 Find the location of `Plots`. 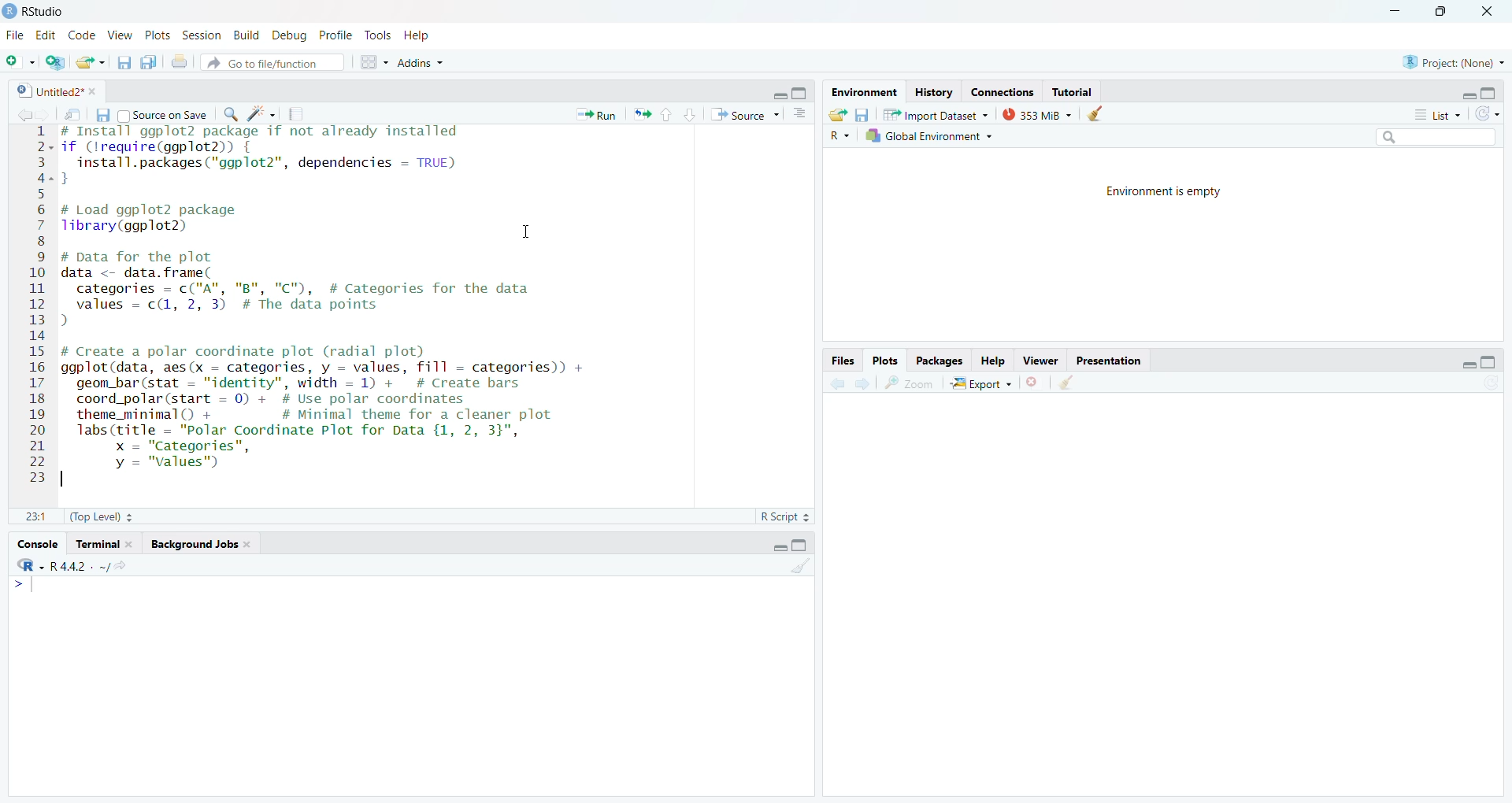

Plots is located at coordinates (887, 361).